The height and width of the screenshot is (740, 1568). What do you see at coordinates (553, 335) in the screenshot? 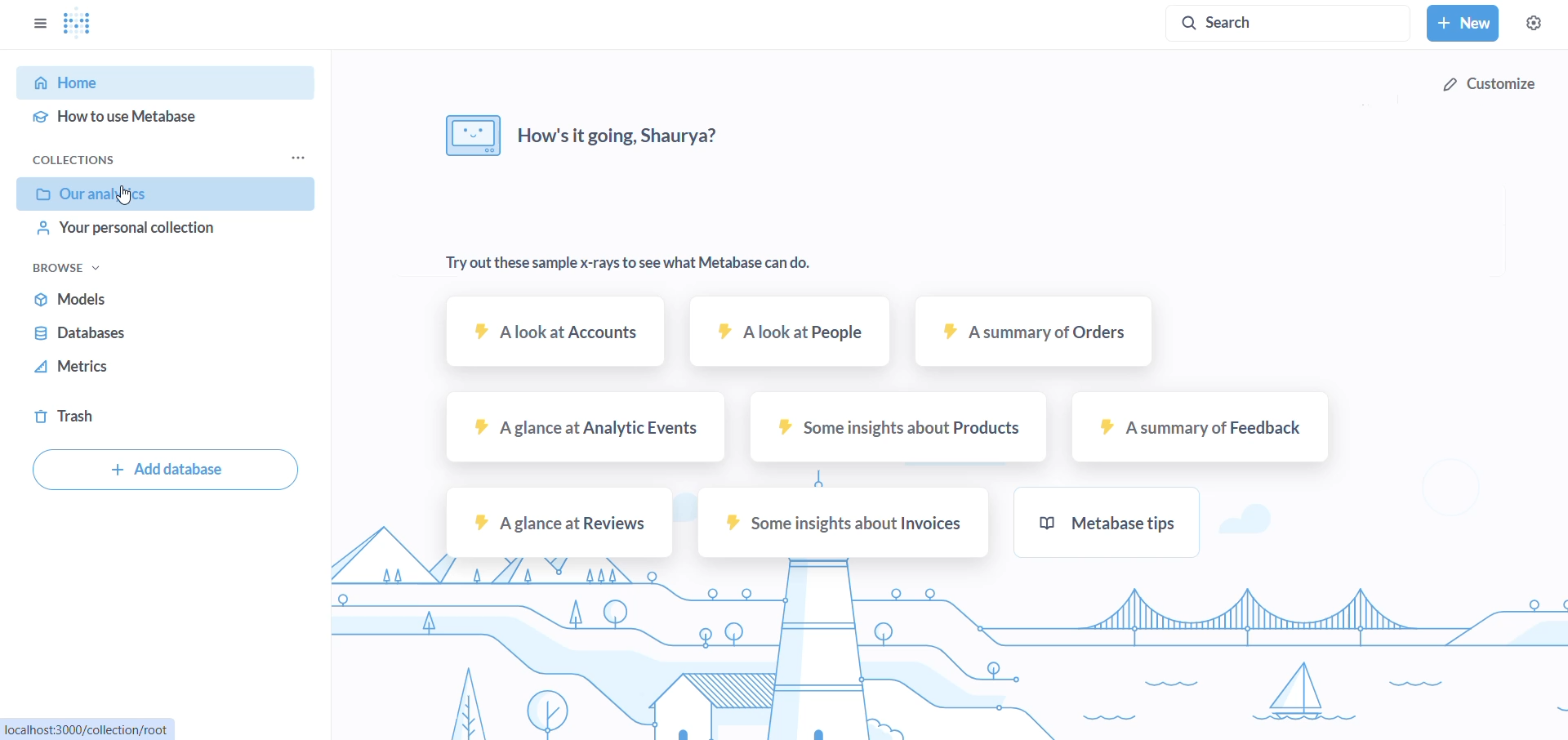
I see `A look at Accounts sample` at bounding box center [553, 335].